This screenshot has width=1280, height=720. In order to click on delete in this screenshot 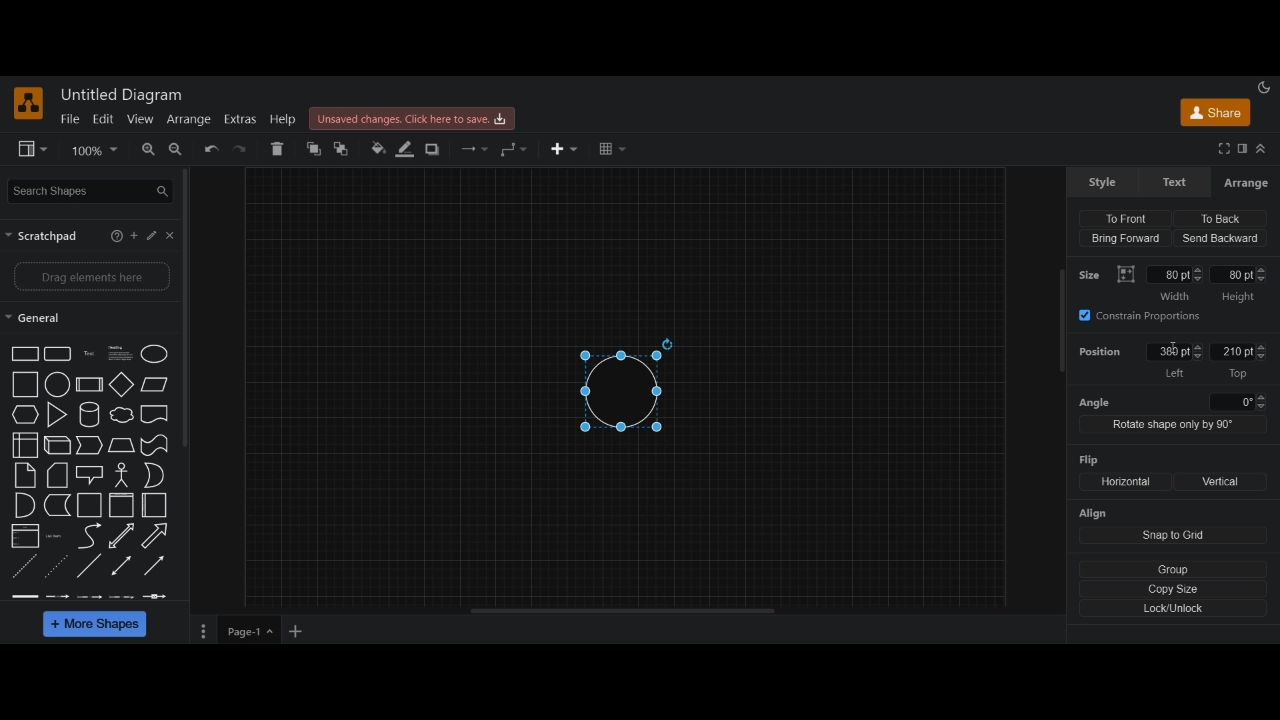, I will do `click(279, 148)`.